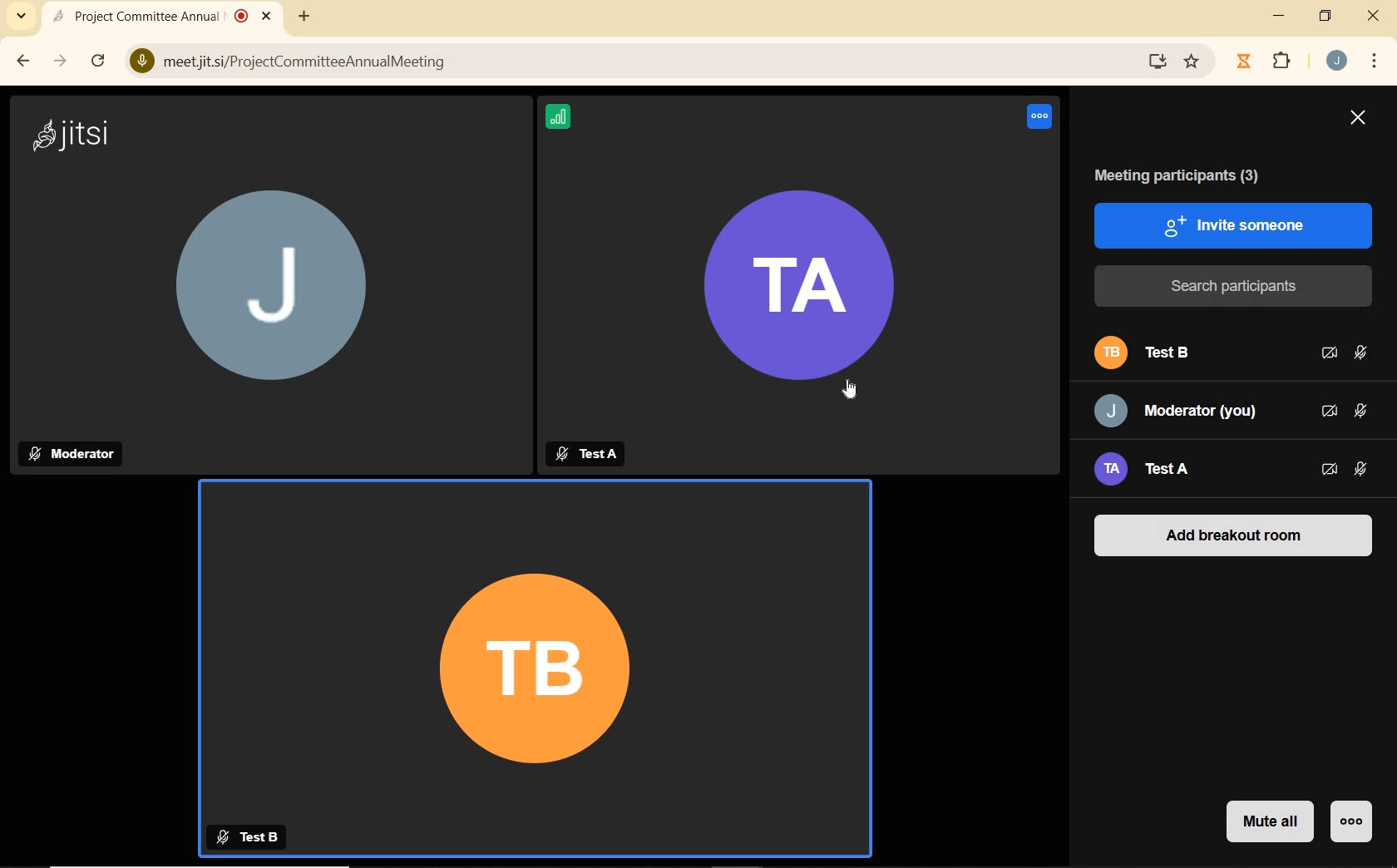 The image size is (1397, 868). I want to click on FORWARD, so click(60, 63).